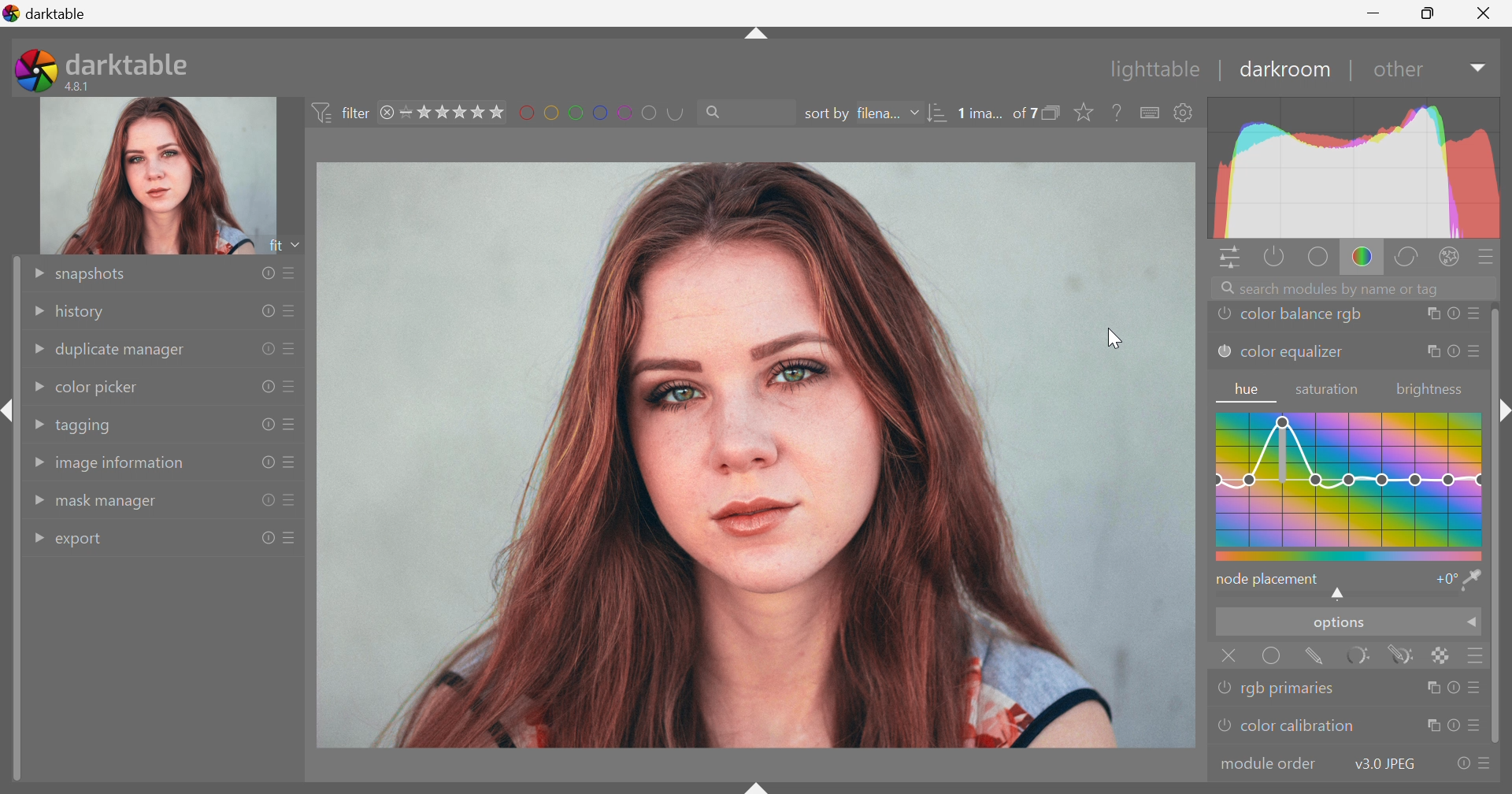  Describe the element at coordinates (387, 113) in the screenshot. I see `remove filter` at that location.